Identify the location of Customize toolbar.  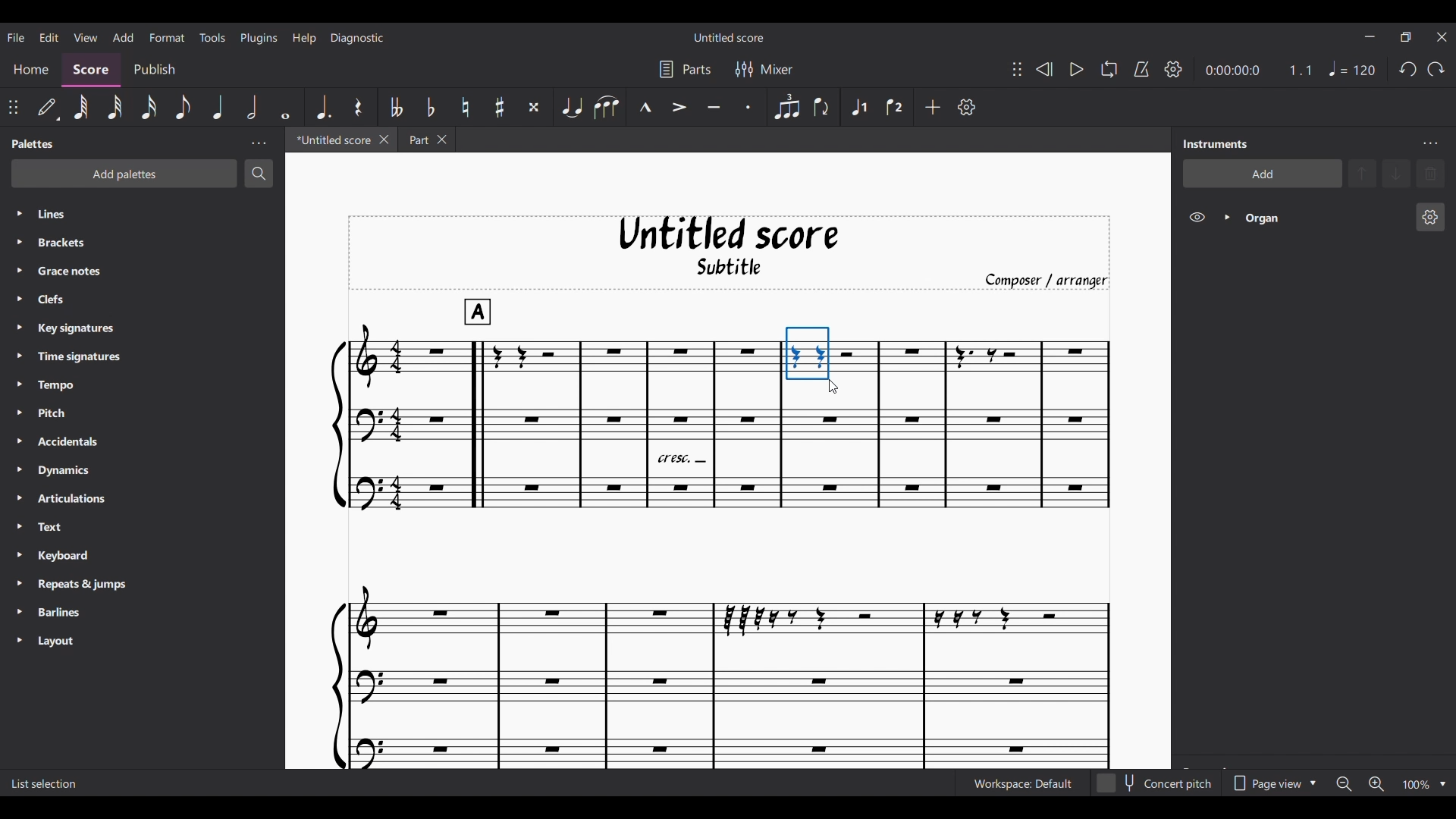
(966, 107).